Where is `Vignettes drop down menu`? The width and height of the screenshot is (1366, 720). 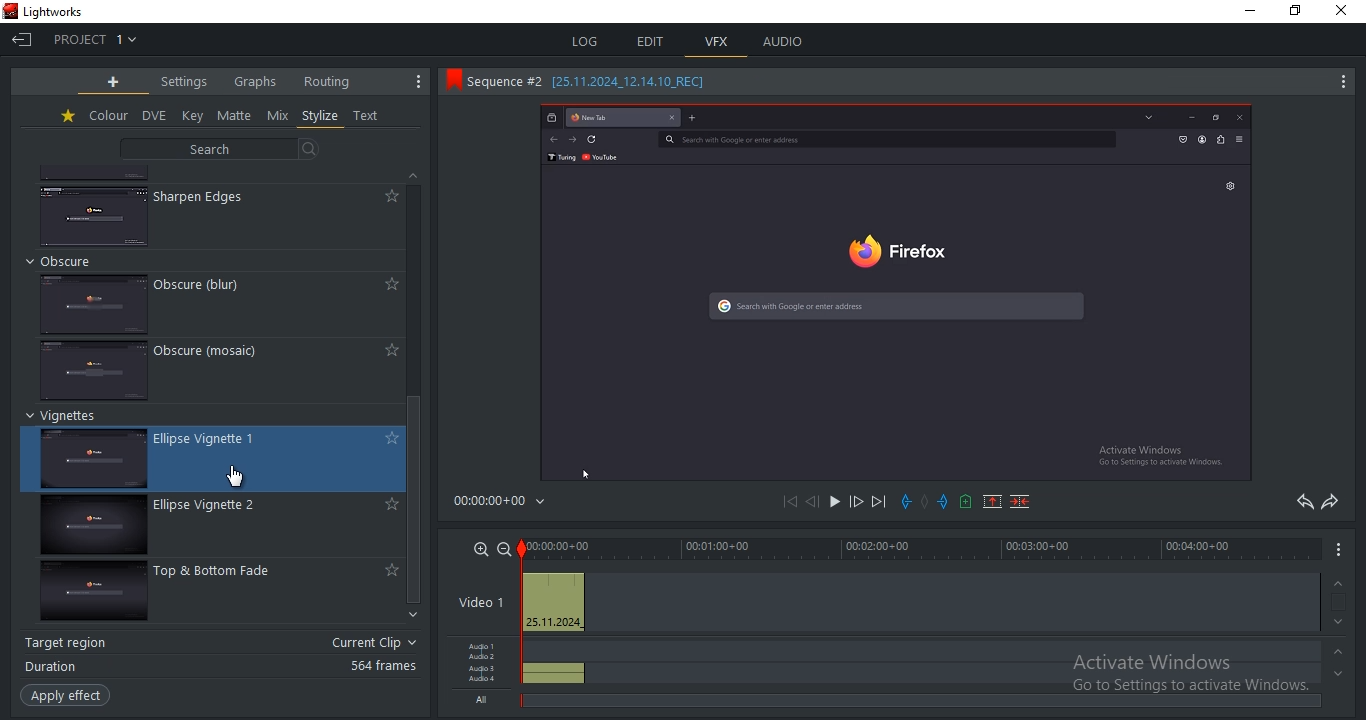
Vignettes drop down menu is located at coordinates (66, 417).